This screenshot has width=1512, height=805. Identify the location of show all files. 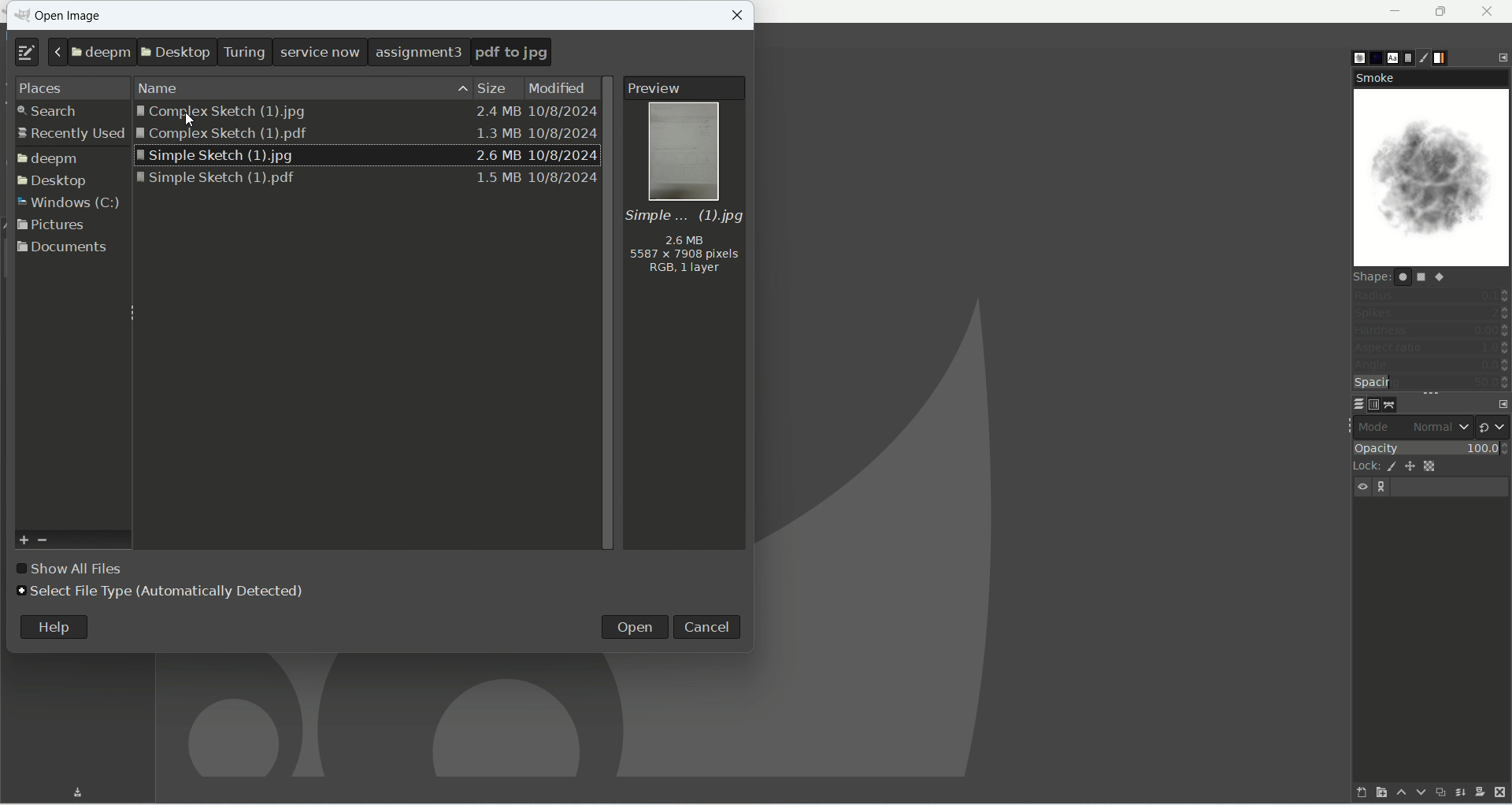
(72, 569).